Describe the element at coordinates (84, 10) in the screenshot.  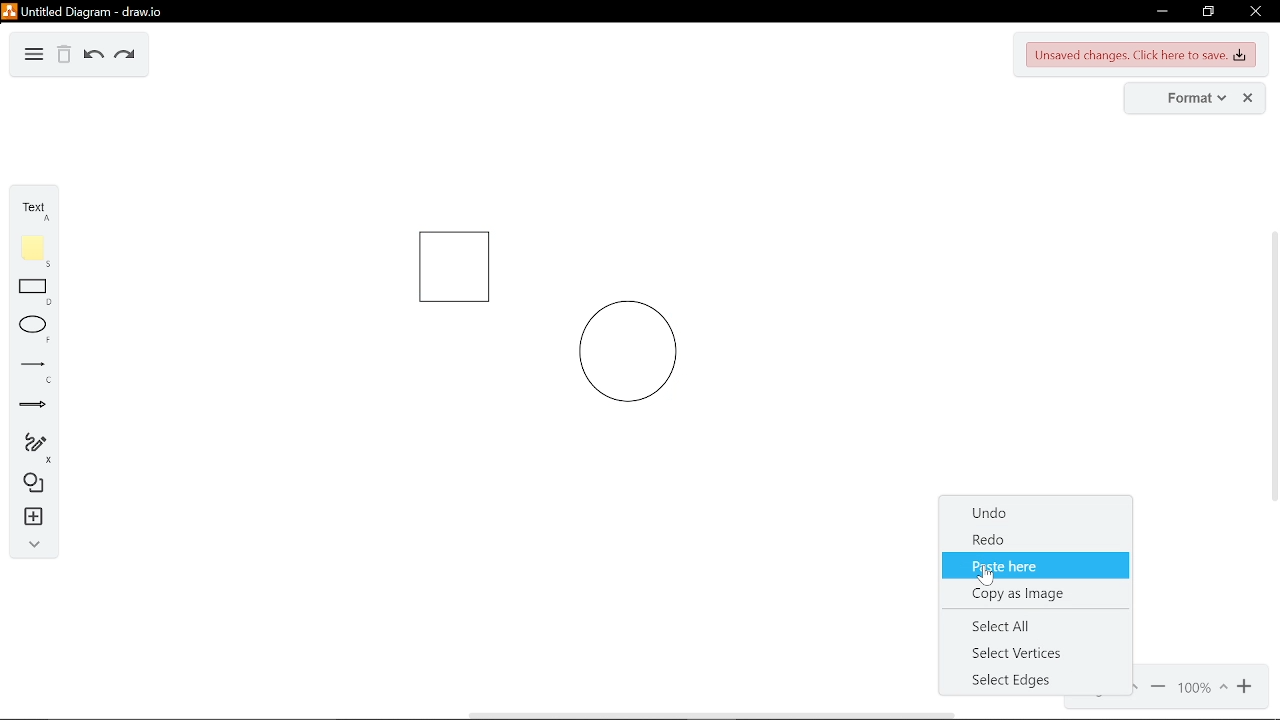
I see `untitled diagram - draw.io` at that location.